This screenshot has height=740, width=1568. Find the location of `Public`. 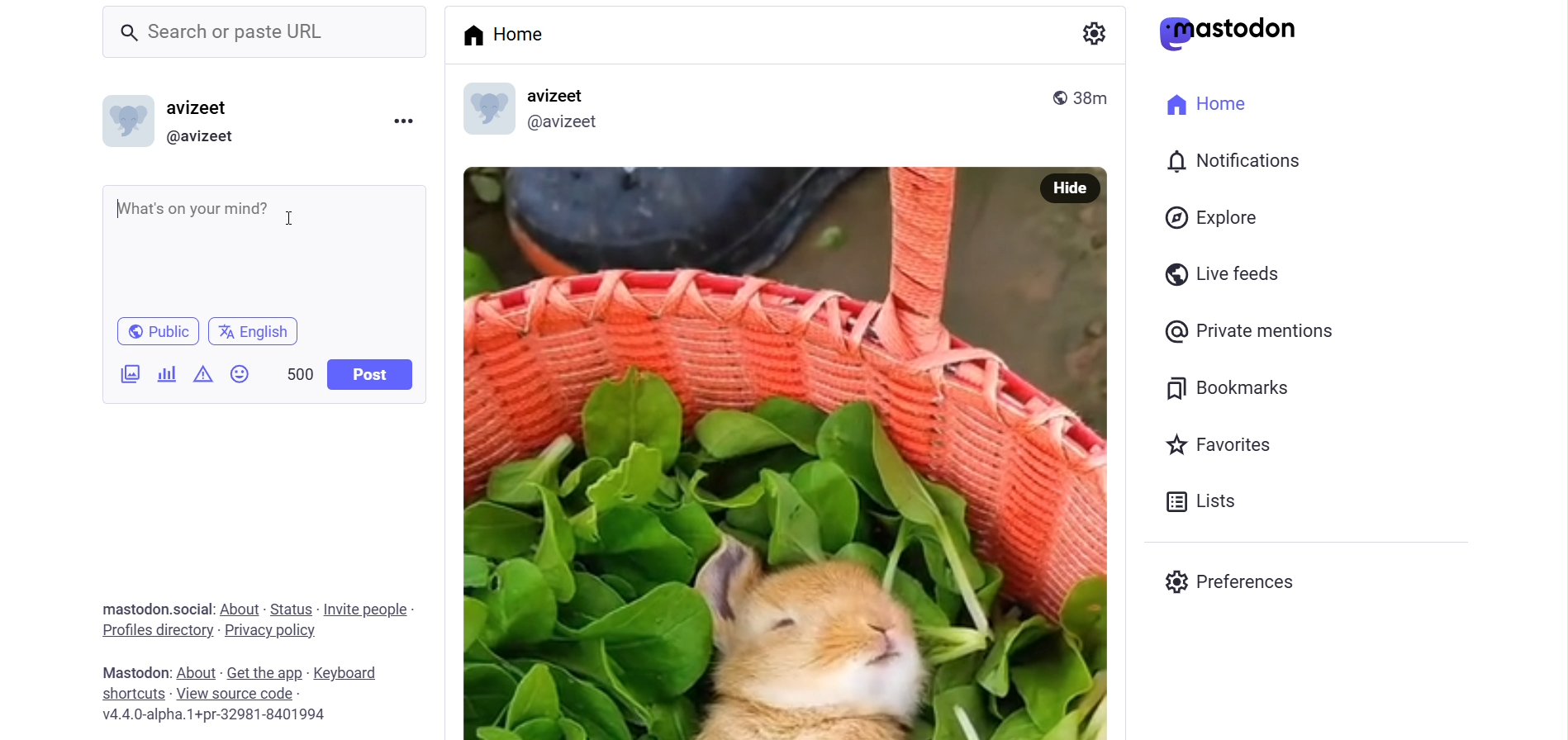

Public is located at coordinates (160, 330).